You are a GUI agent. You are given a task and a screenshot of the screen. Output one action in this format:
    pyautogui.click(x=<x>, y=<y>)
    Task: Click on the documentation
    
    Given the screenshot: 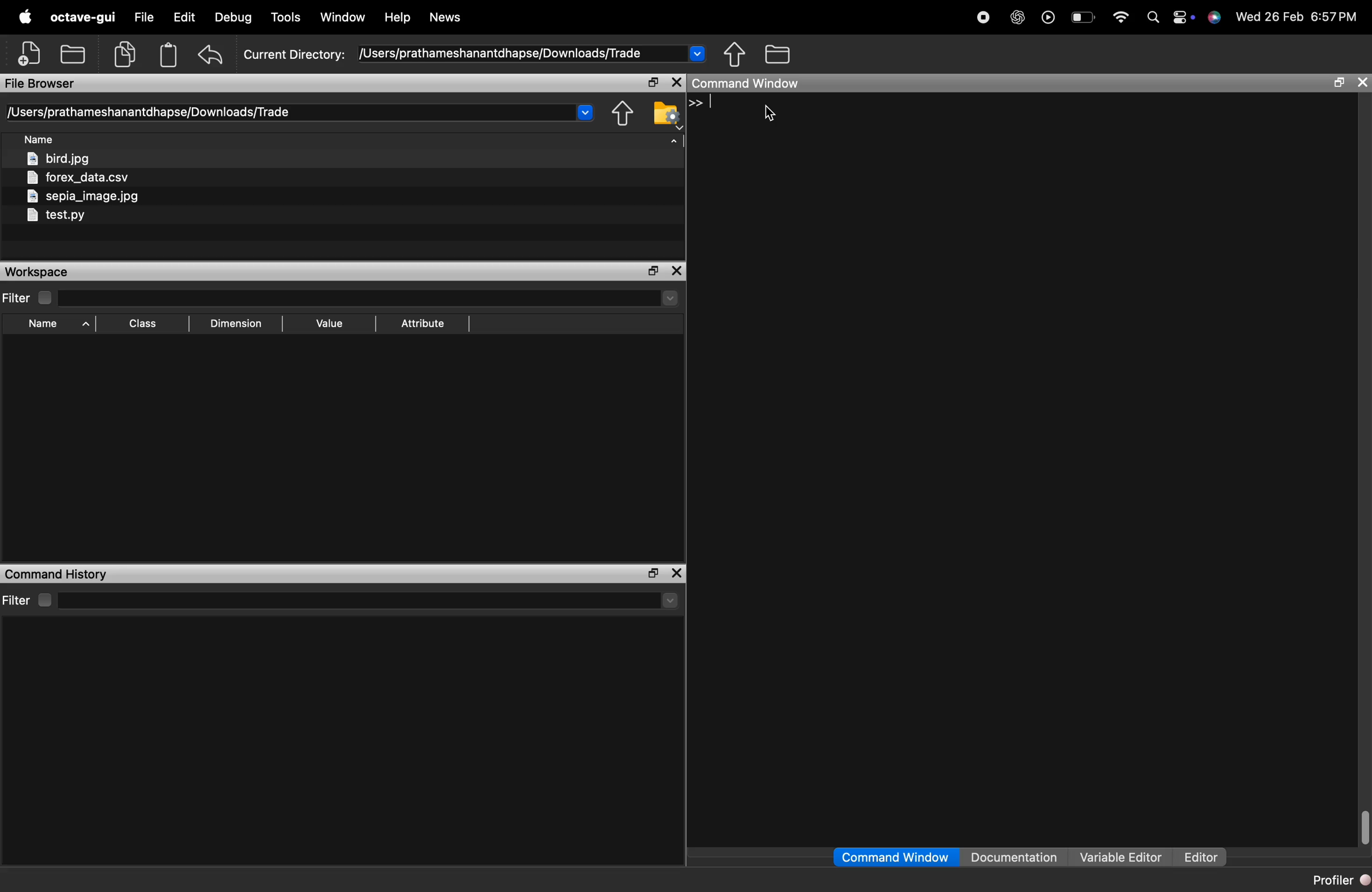 What is the action you would take?
    pyautogui.click(x=1015, y=857)
    